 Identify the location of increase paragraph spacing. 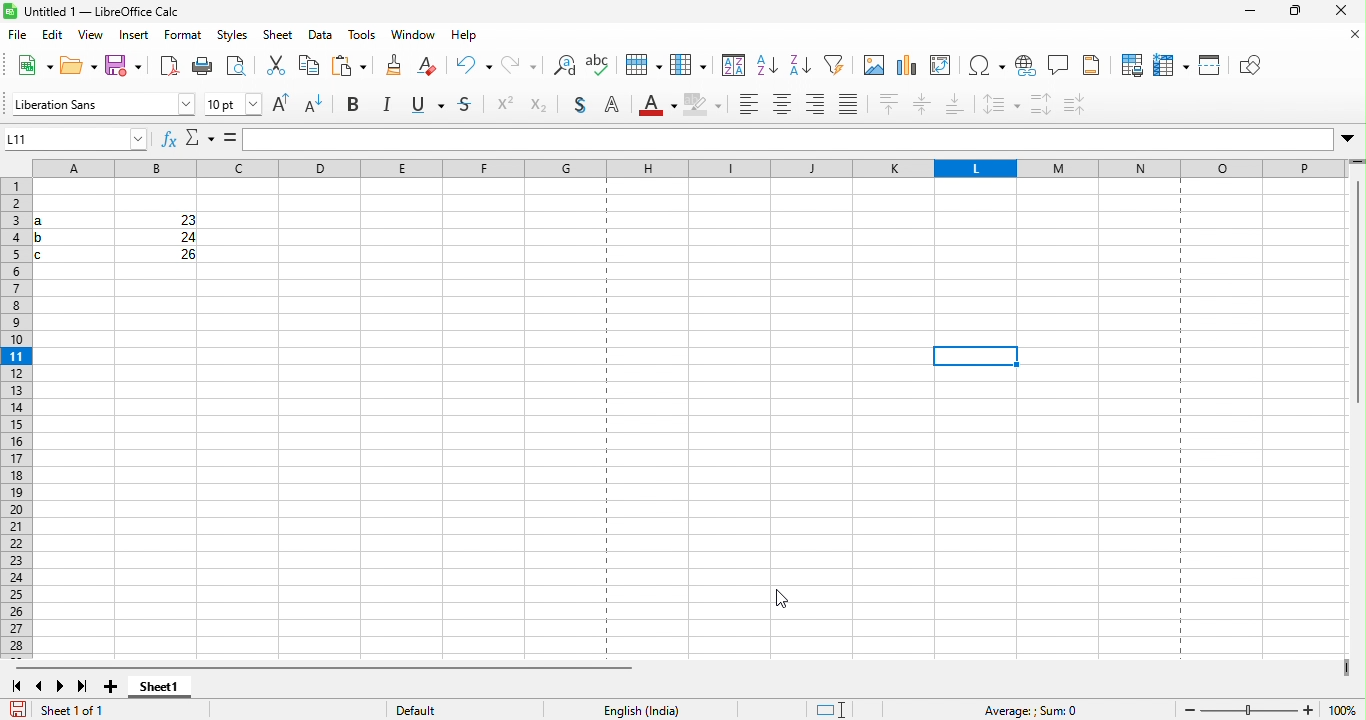
(1040, 104).